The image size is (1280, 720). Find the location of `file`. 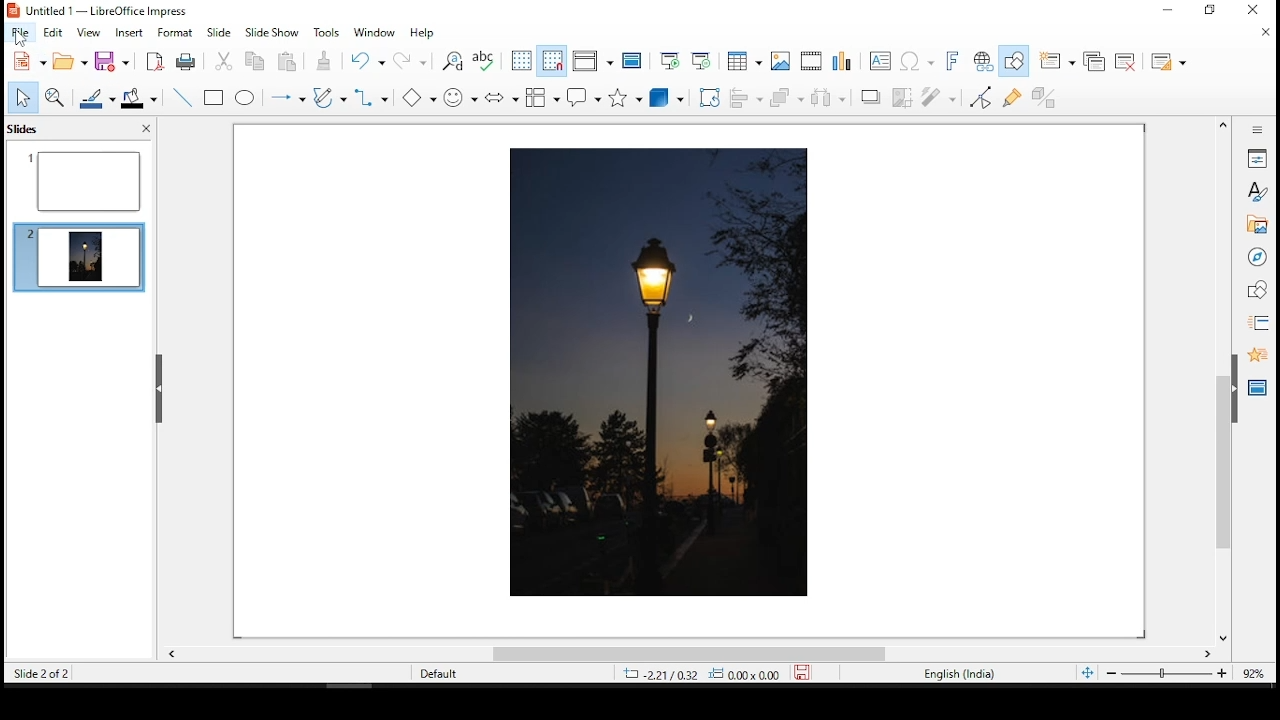

file is located at coordinates (21, 32).